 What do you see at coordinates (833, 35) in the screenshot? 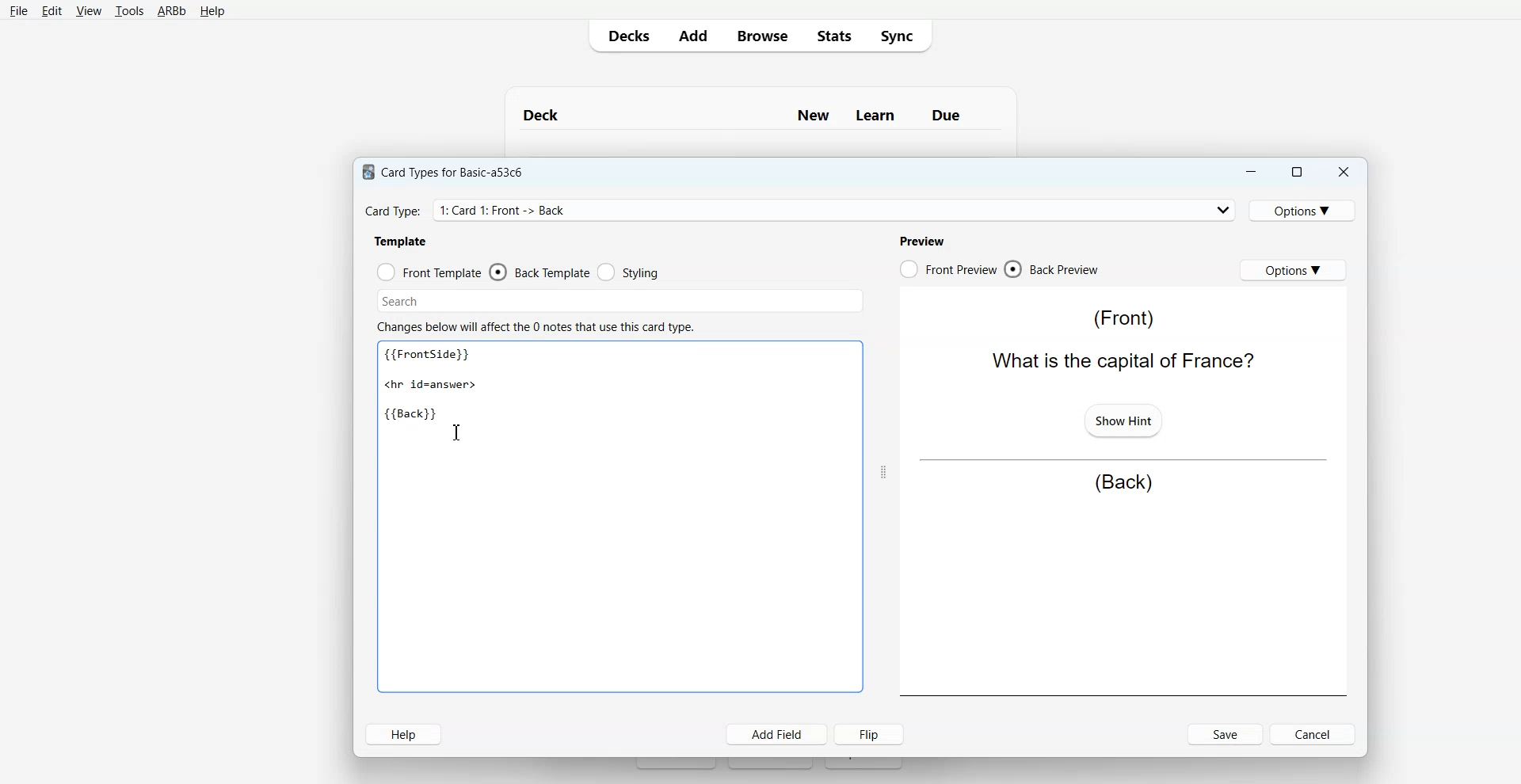
I see `Stats` at bounding box center [833, 35].